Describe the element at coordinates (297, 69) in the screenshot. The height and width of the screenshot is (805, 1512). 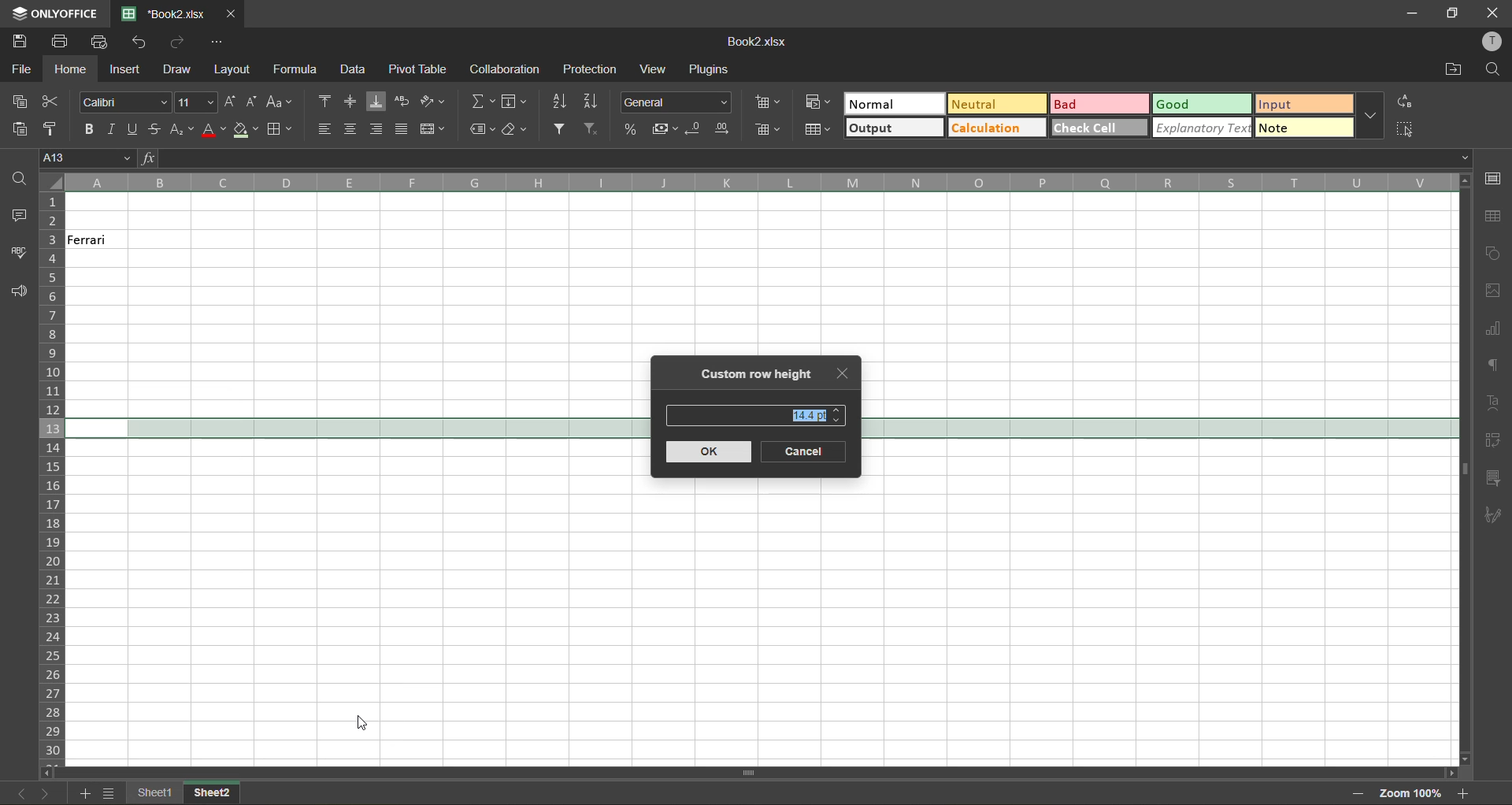
I see `formula` at that location.